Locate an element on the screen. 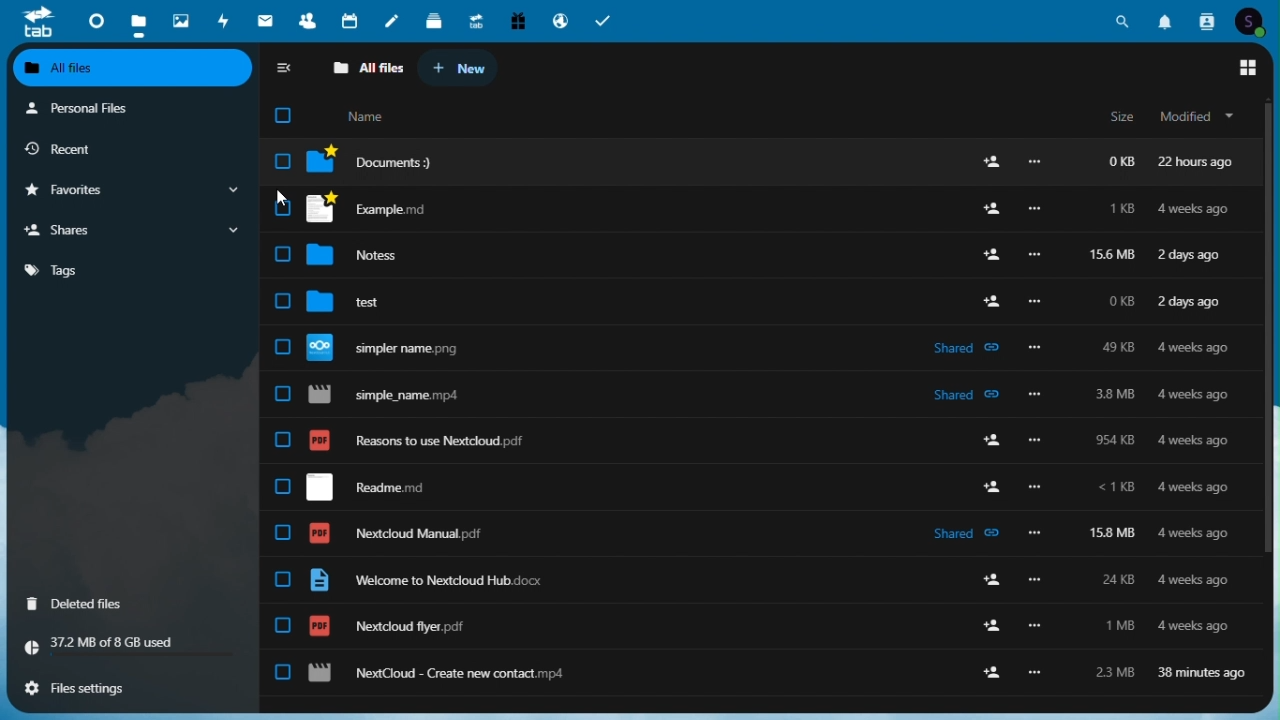 This screenshot has width=1280, height=720. 4 weeks ago is located at coordinates (1194, 489).